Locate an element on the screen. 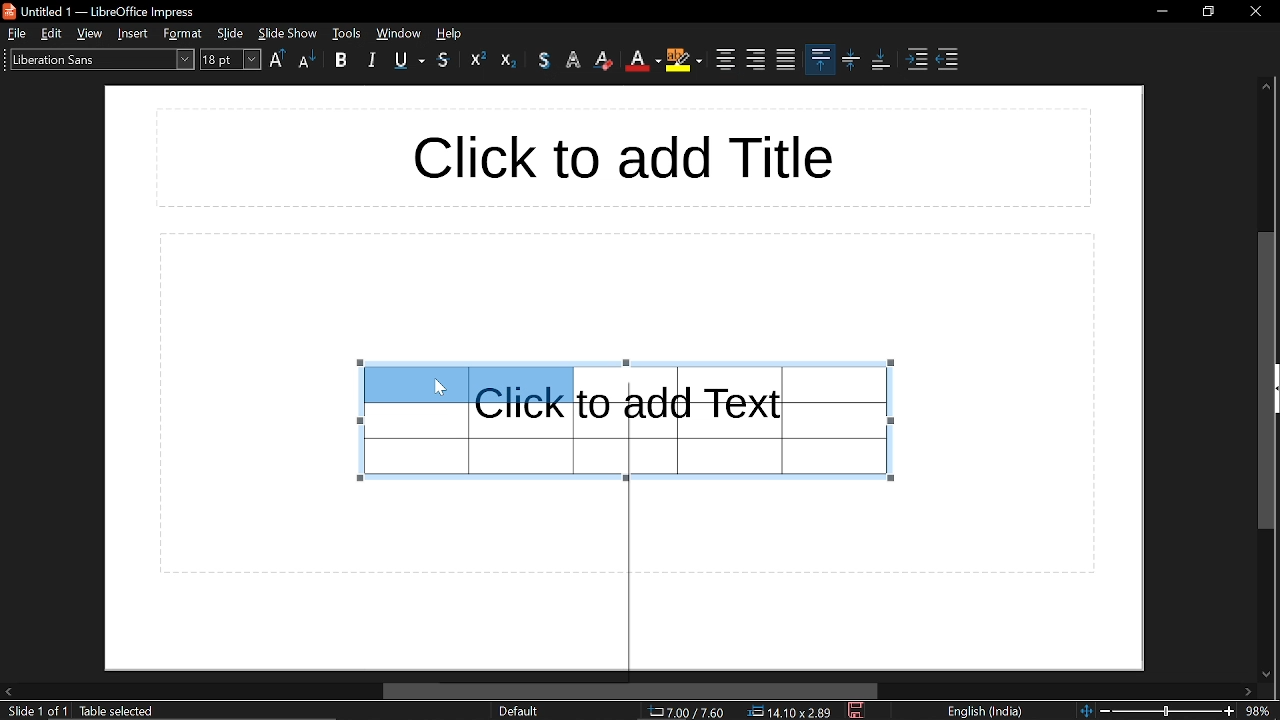 The width and height of the screenshot is (1280, 720). selected cells is located at coordinates (469, 383).